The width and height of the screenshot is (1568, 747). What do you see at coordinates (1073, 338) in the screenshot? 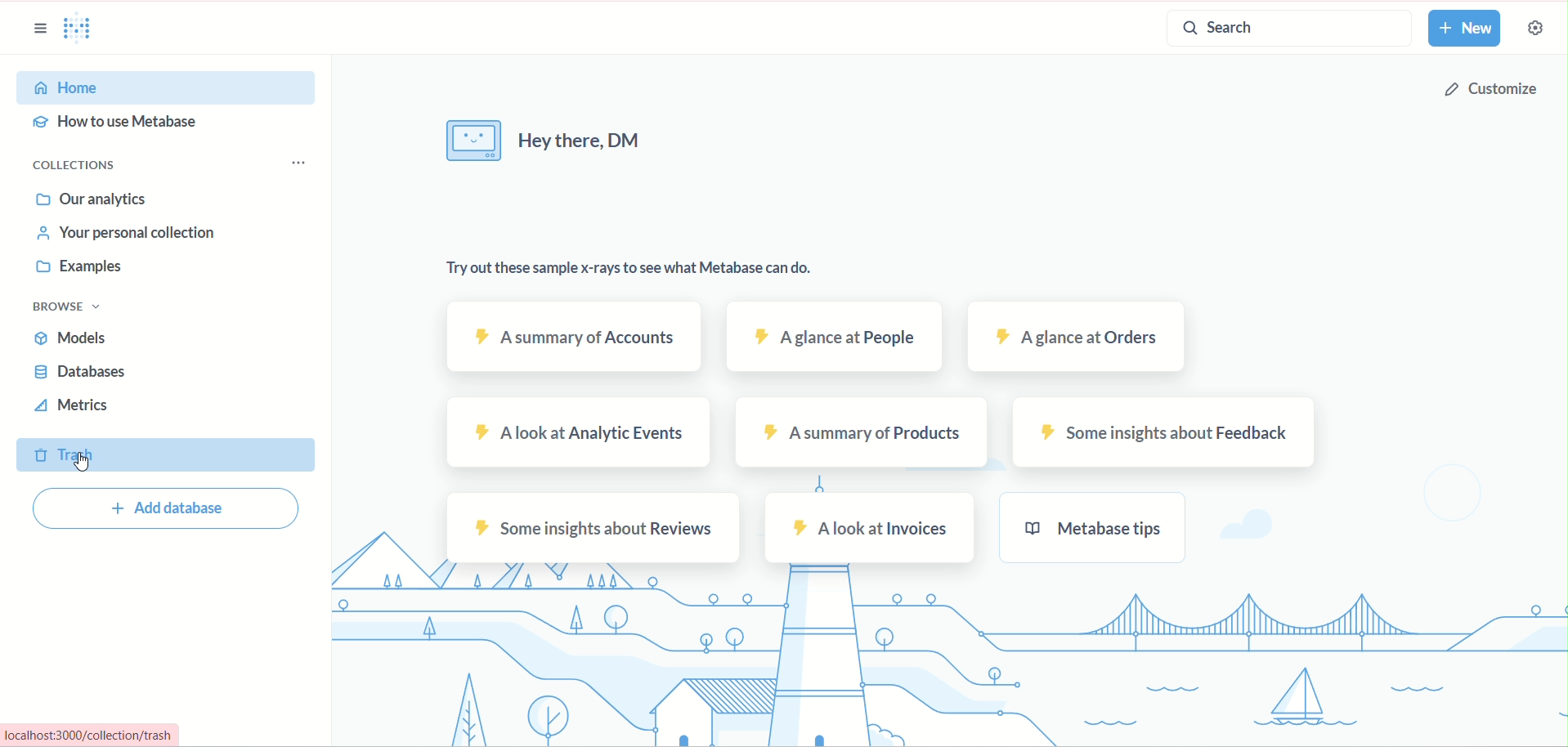
I see `A glance at orders` at bounding box center [1073, 338].